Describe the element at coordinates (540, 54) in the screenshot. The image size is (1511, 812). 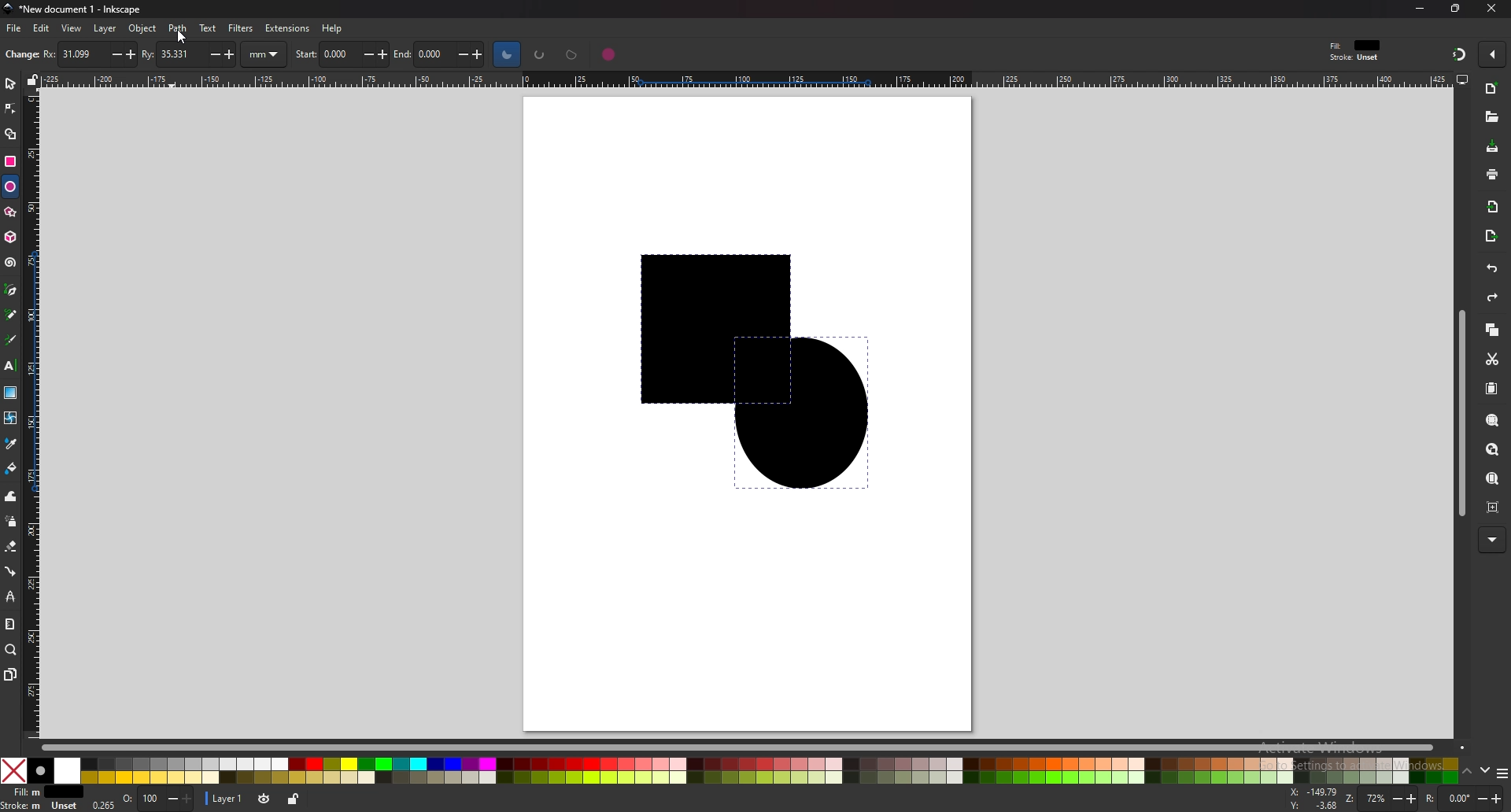
I see `arc` at that location.